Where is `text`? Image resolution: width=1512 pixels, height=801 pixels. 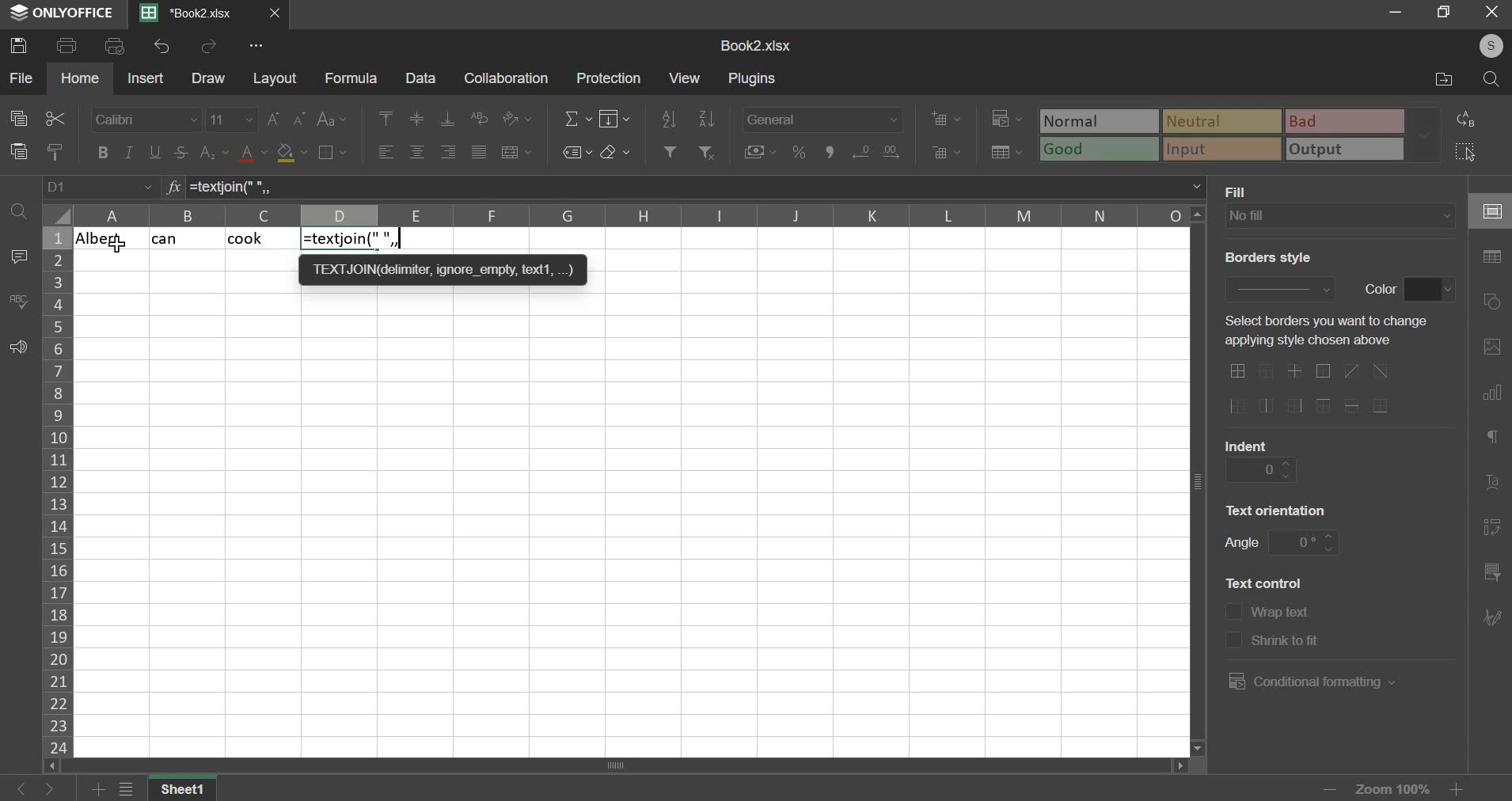 text is located at coordinates (1241, 191).